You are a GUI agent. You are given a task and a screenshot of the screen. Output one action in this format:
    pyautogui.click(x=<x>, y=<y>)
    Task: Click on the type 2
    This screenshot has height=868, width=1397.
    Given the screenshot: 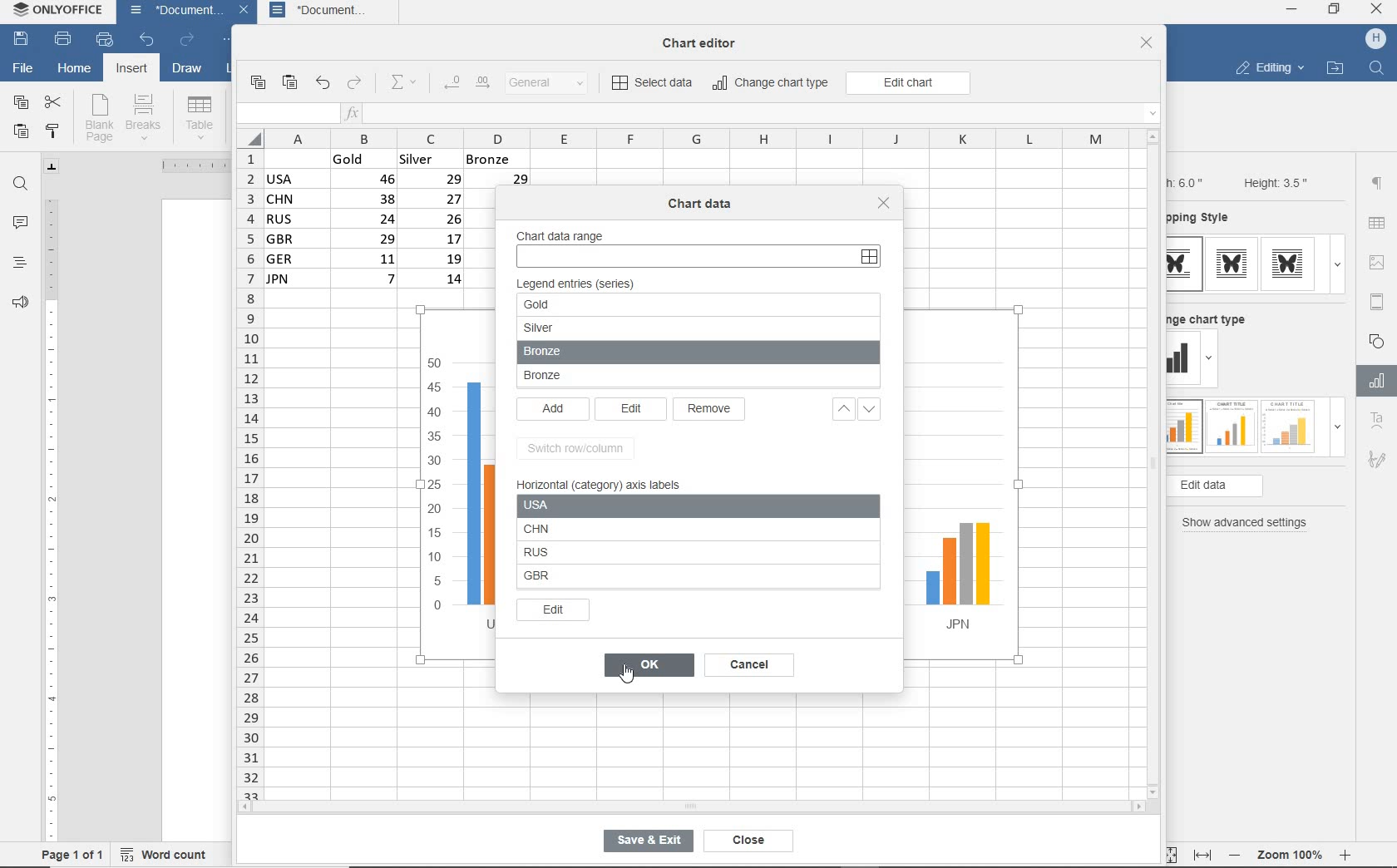 What is the action you would take?
    pyautogui.click(x=1232, y=264)
    